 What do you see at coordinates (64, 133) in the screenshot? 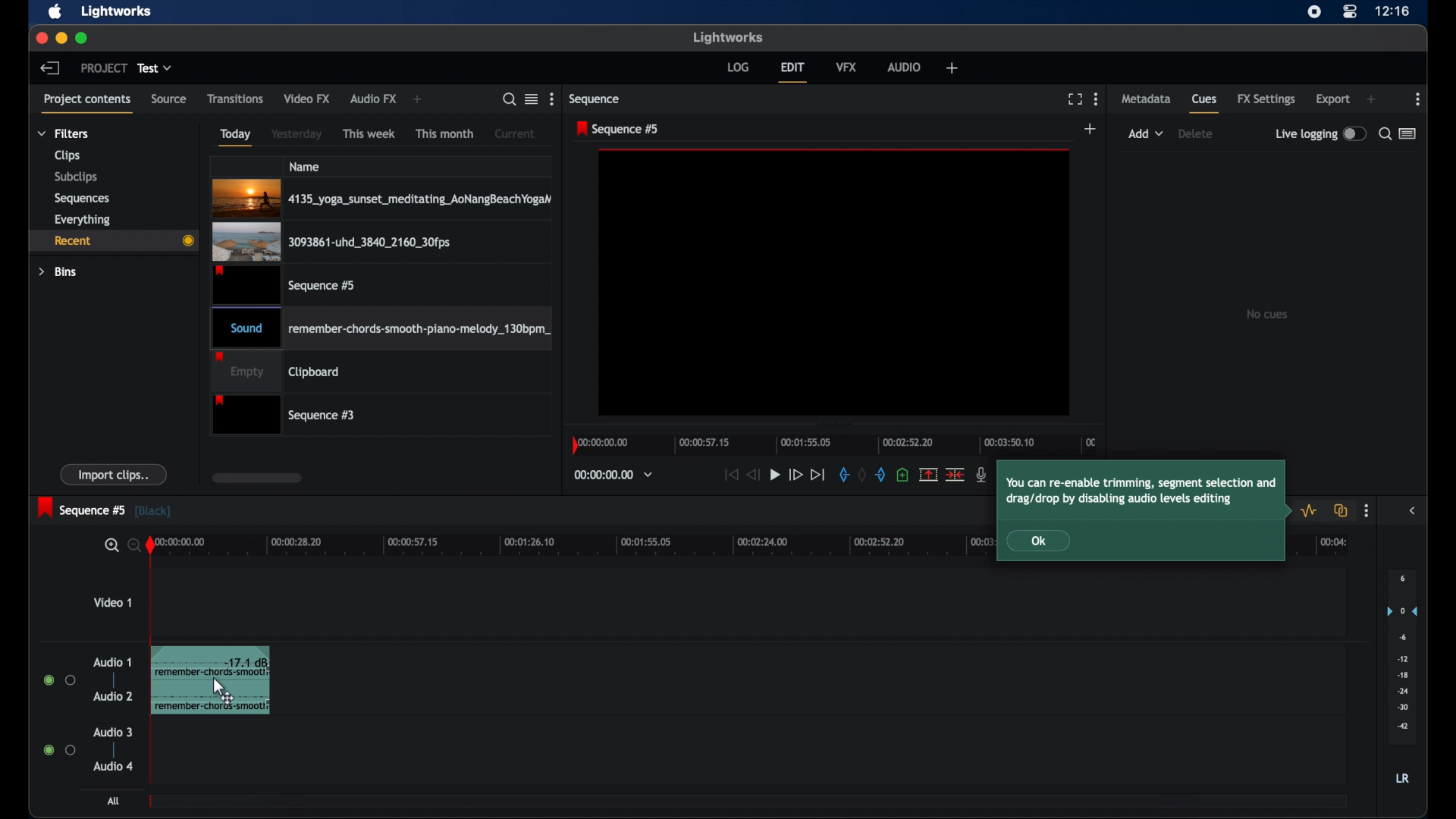
I see `filters` at bounding box center [64, 133].